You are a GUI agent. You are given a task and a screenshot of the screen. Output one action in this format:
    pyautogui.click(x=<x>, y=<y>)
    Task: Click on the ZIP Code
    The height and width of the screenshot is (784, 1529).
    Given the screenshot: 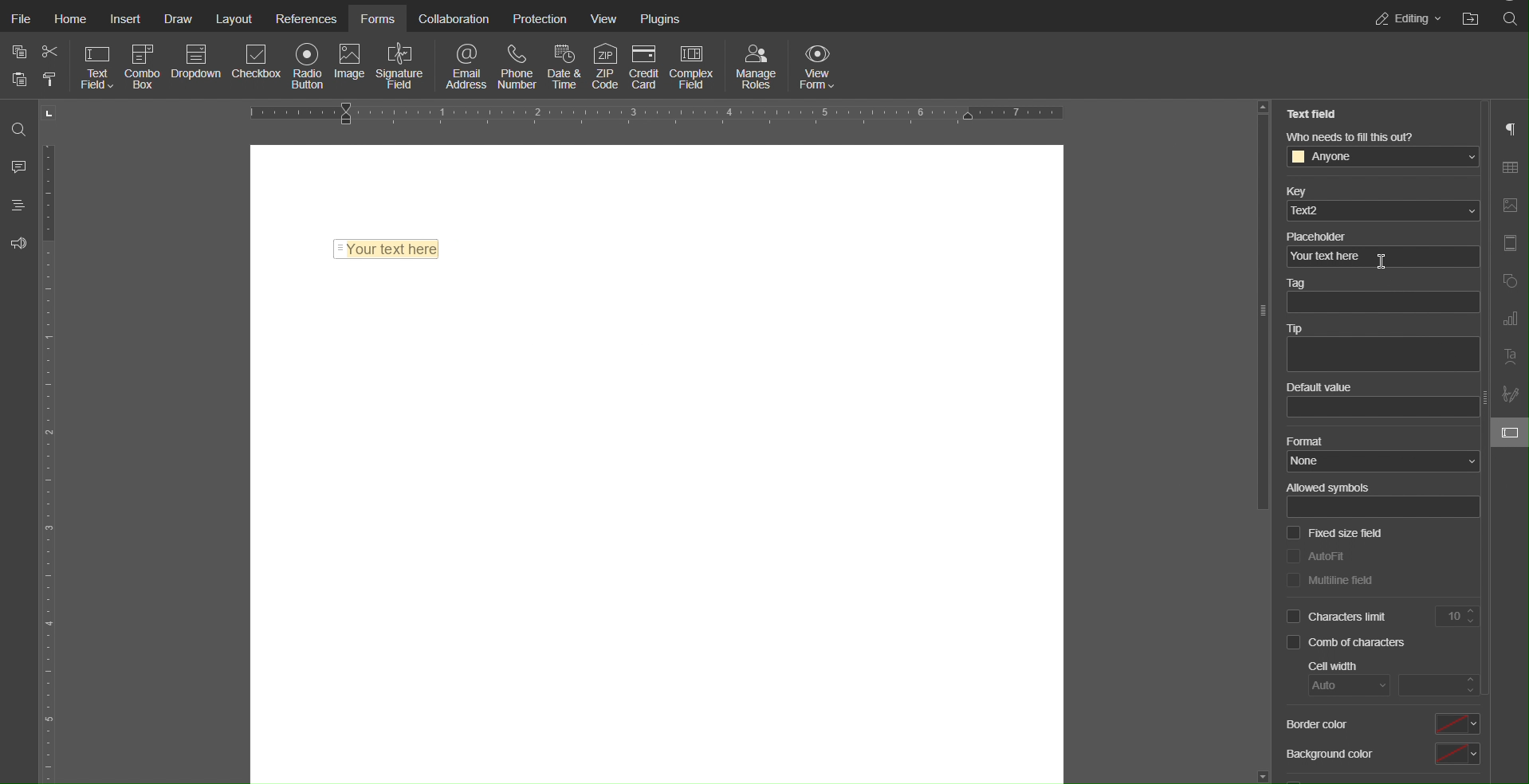 What is the action you would take?
    pyautogui.click(x=605, y=66)
    